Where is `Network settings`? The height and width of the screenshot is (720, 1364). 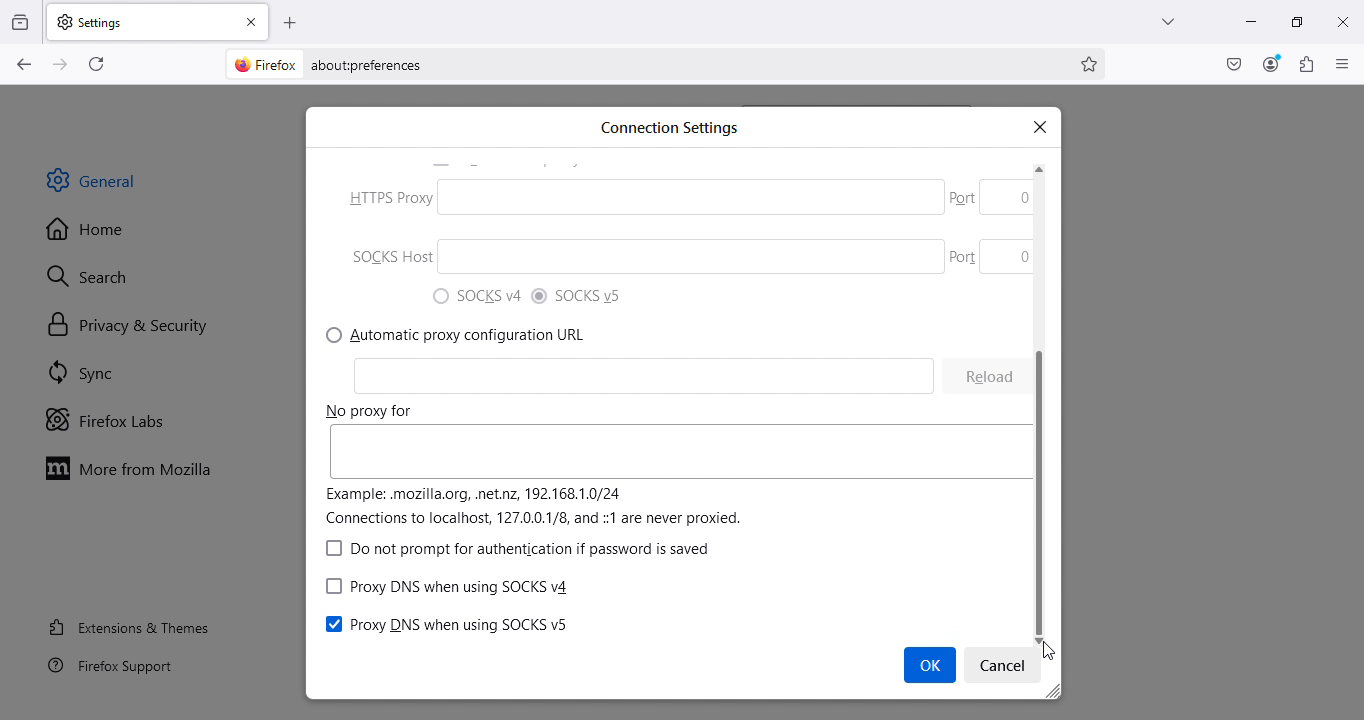
Network settings is located at coordinates (455, 586).